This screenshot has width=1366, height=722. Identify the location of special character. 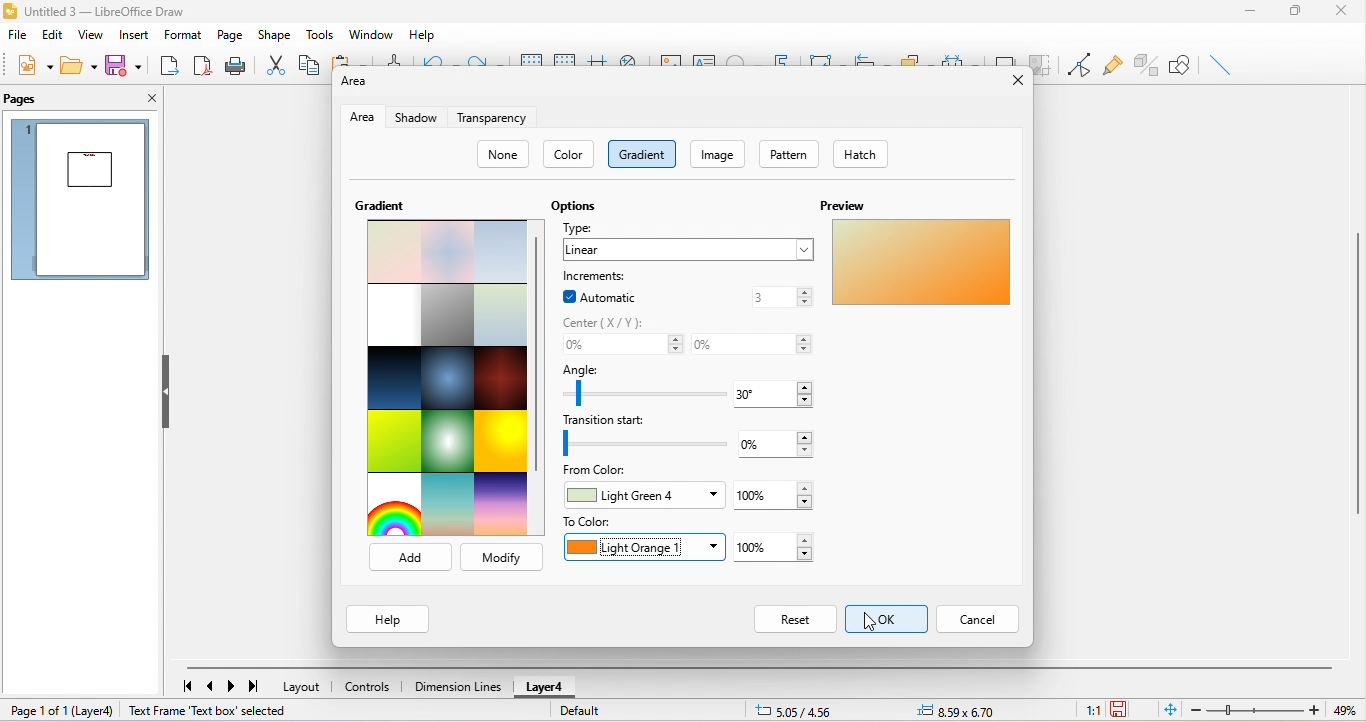
(742, 57).